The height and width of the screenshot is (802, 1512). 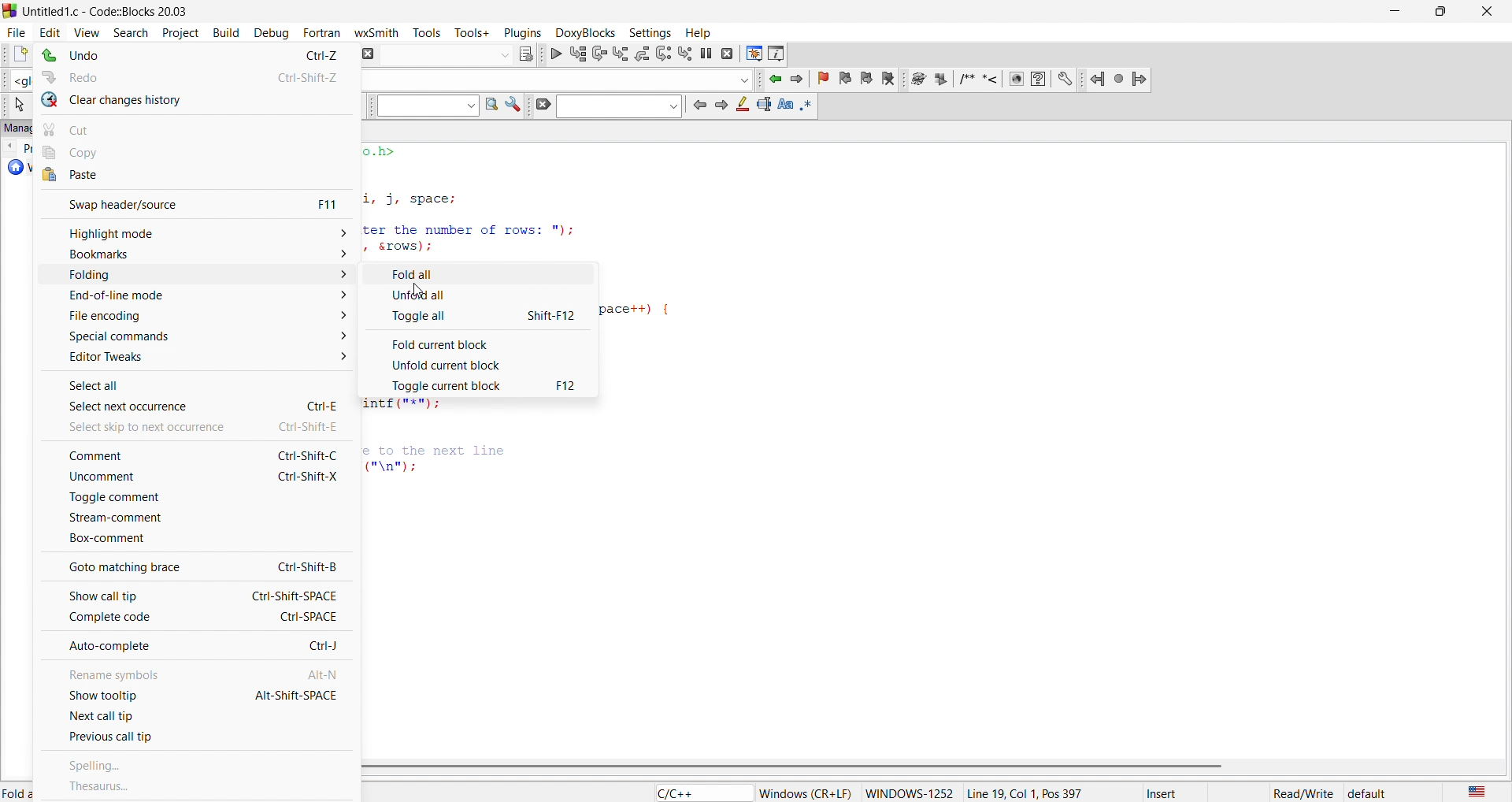 I want to click on help, so click(x=1038, y=79).